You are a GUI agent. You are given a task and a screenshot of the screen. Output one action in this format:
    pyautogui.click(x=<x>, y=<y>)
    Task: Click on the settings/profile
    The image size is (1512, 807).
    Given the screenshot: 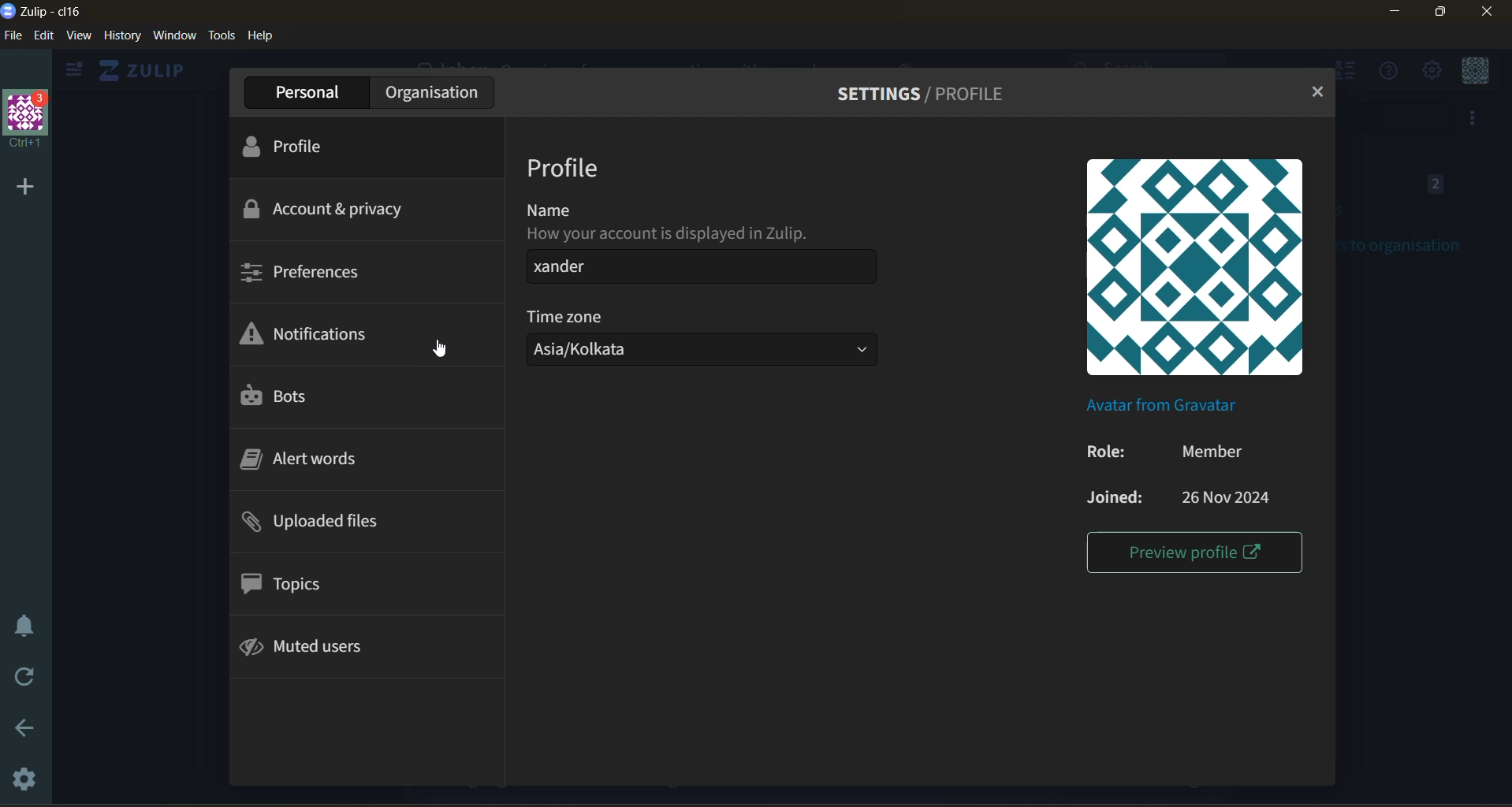 What is the action you would take?
    pyautogui.click(x=929, y=95)
    